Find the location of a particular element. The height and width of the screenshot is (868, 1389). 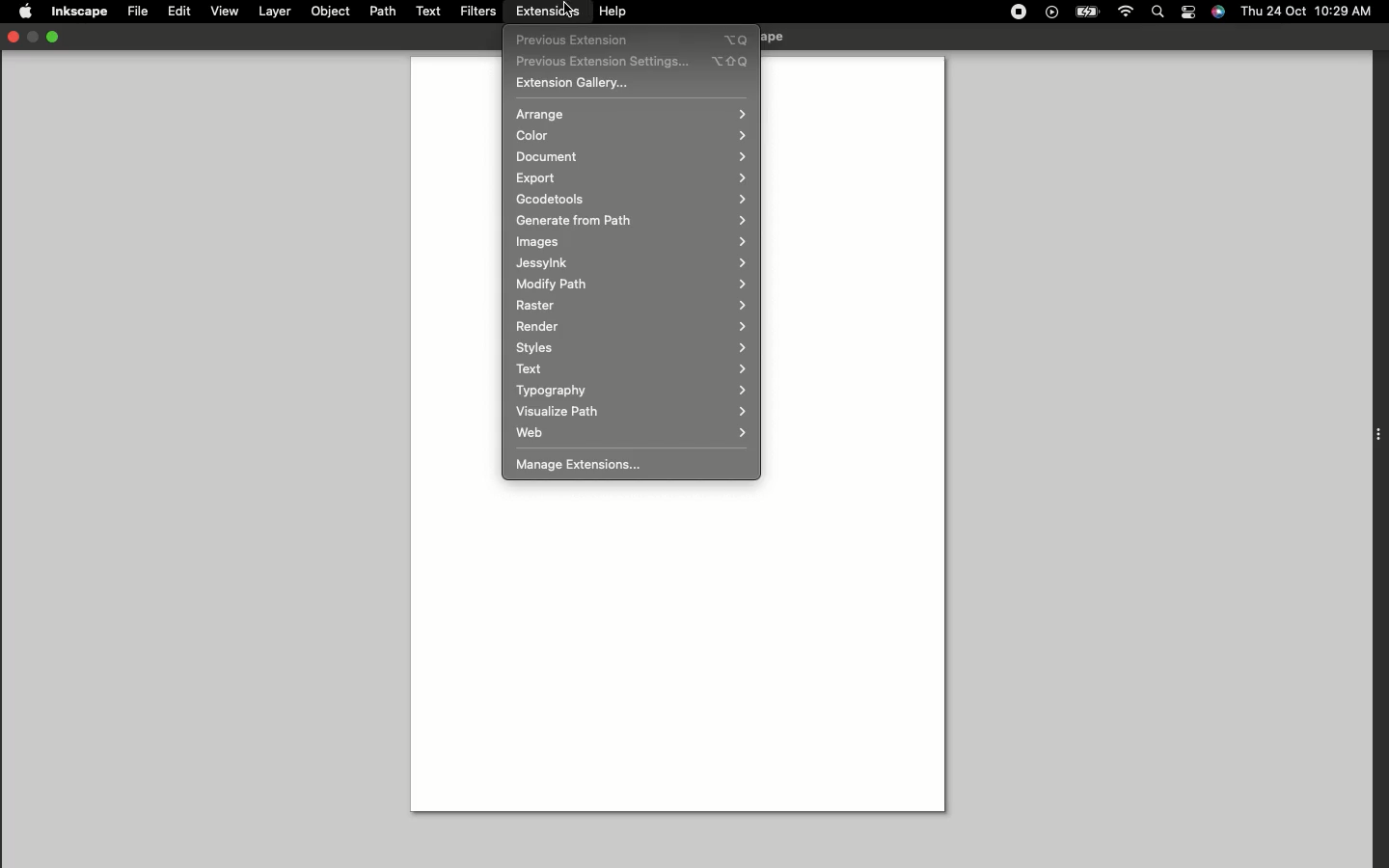

Extension is located at coordinates (1379, 427).